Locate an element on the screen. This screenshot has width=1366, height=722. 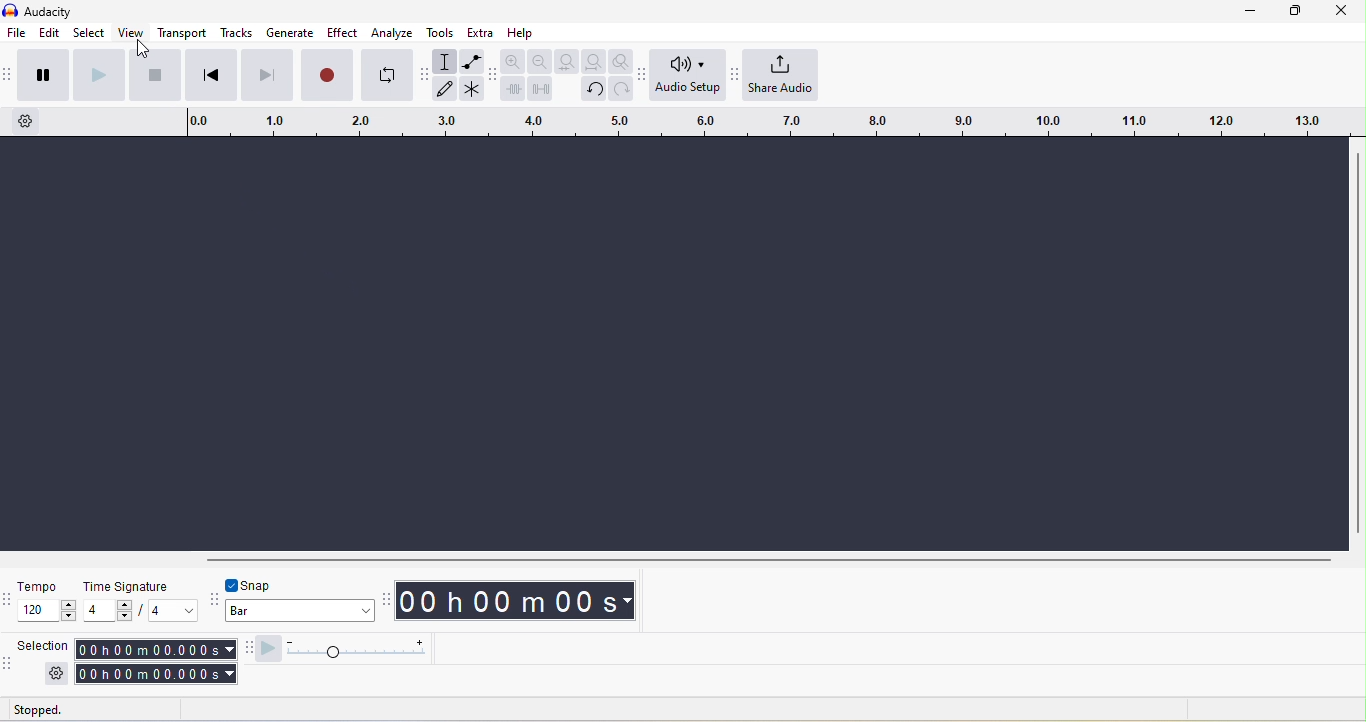
zoom in is located at coordinates (513, 60).